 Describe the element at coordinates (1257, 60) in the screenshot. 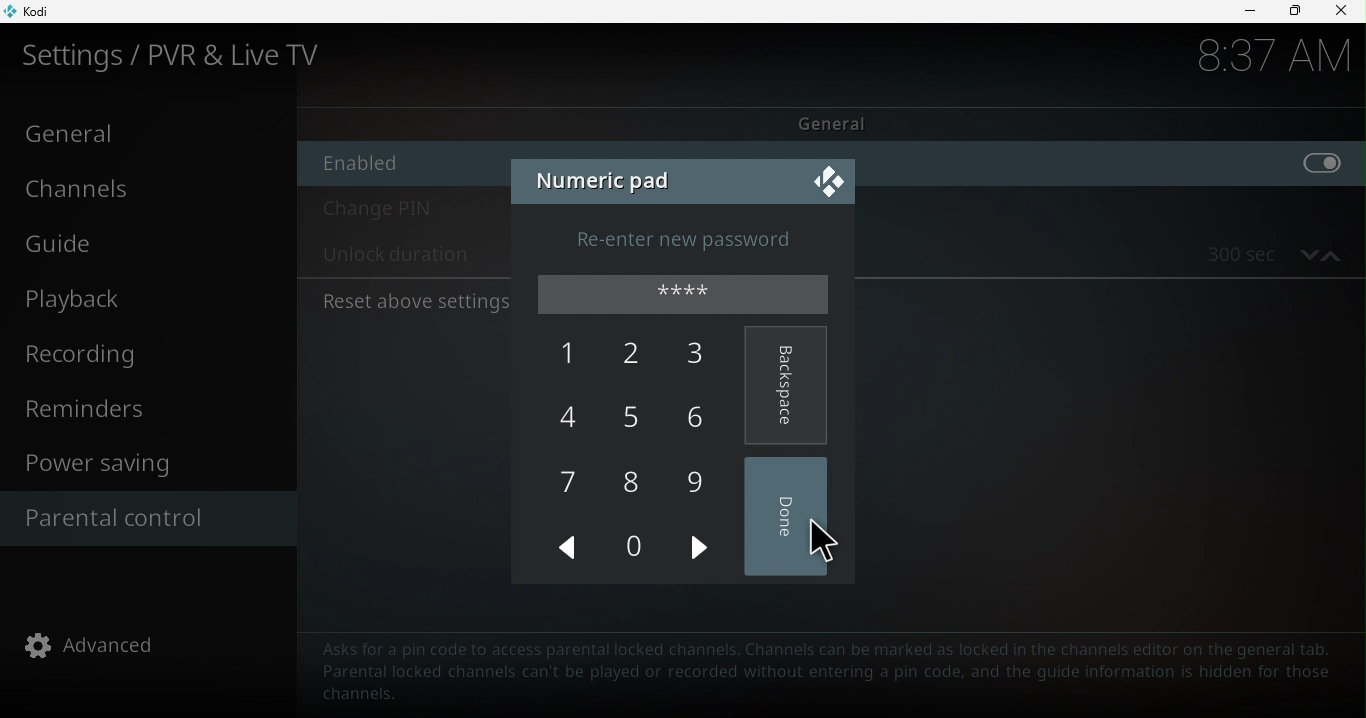

I see `time` at that location.